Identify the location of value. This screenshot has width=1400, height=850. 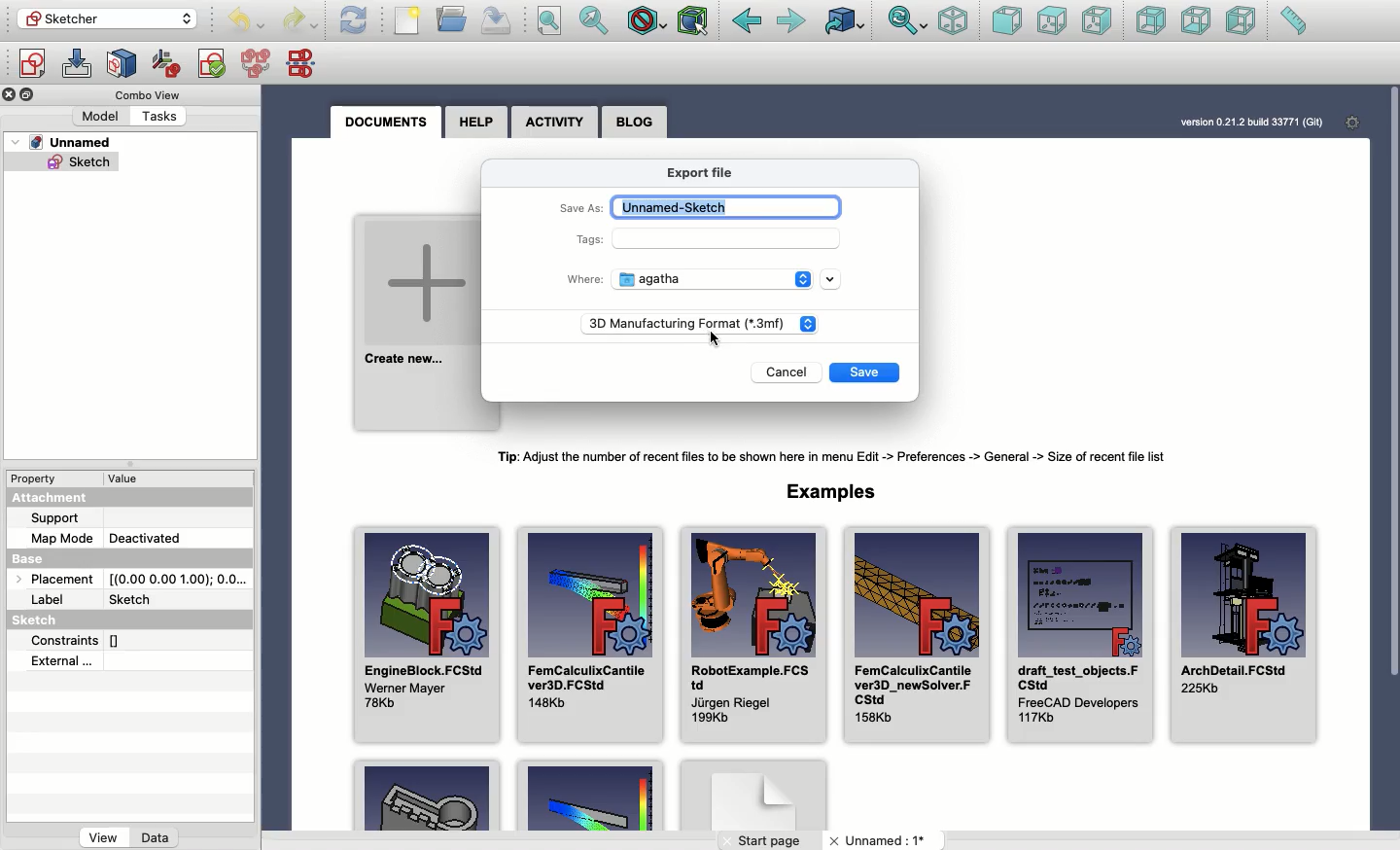
(127, 479).